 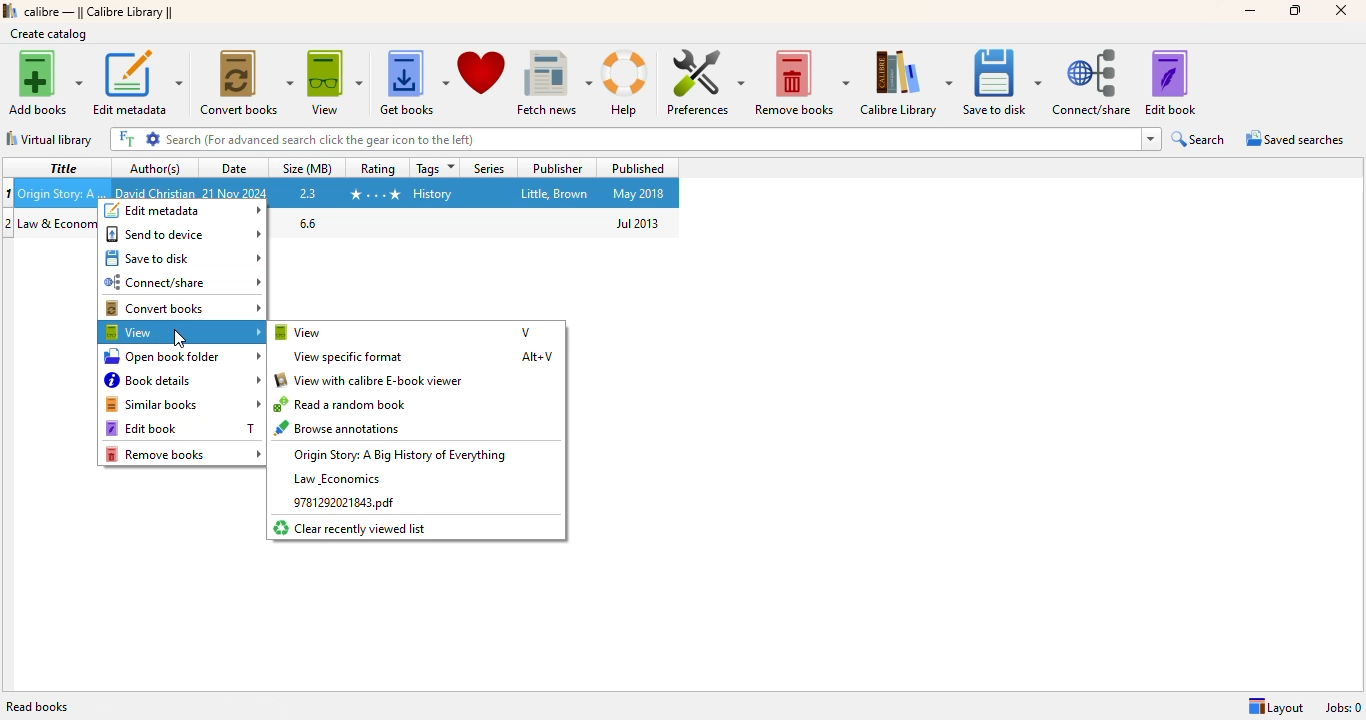 I want to click on get books, so click(x=414, y=84).